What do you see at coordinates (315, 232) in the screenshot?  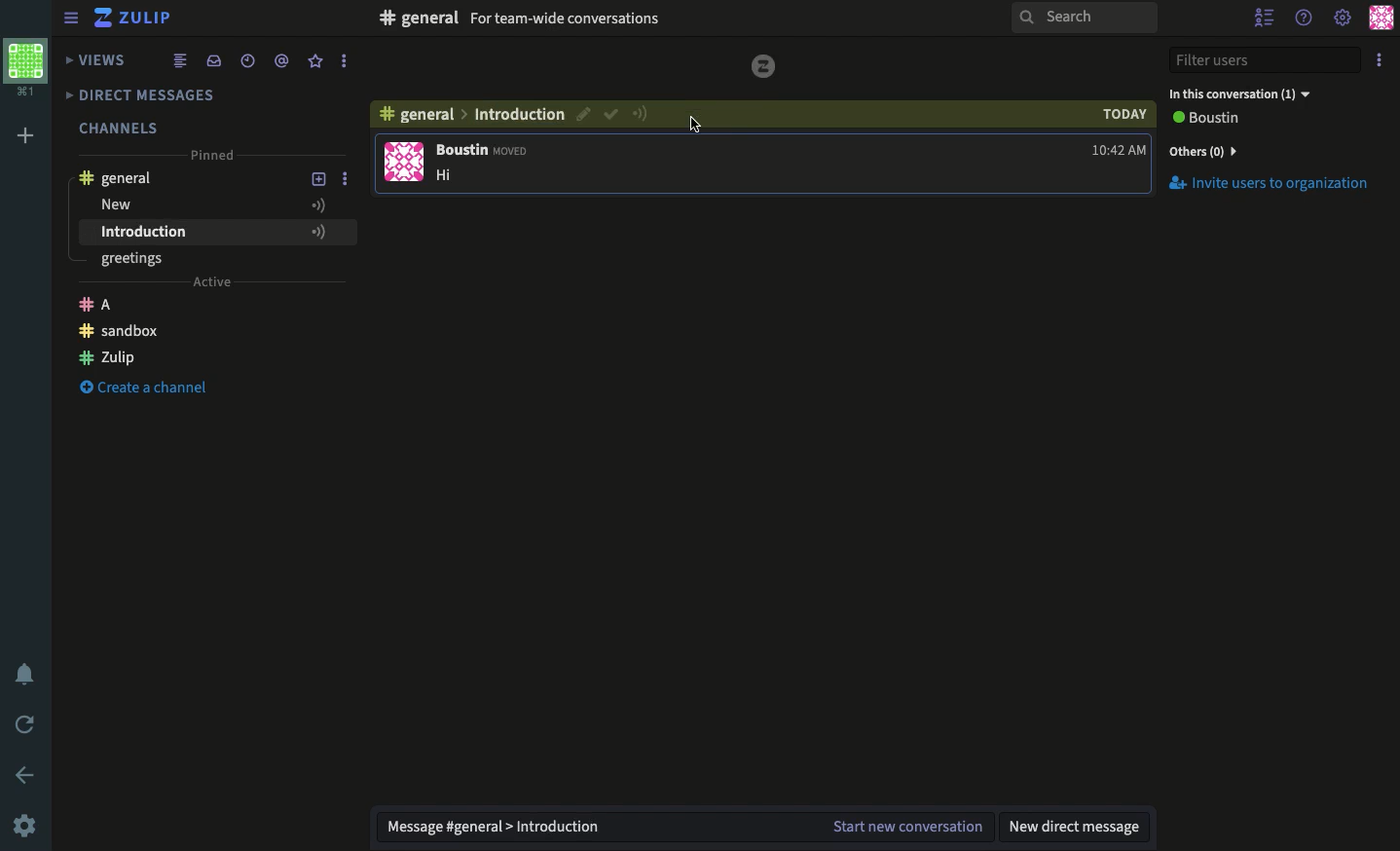 I see `Add` at bounding box center [315, 232].